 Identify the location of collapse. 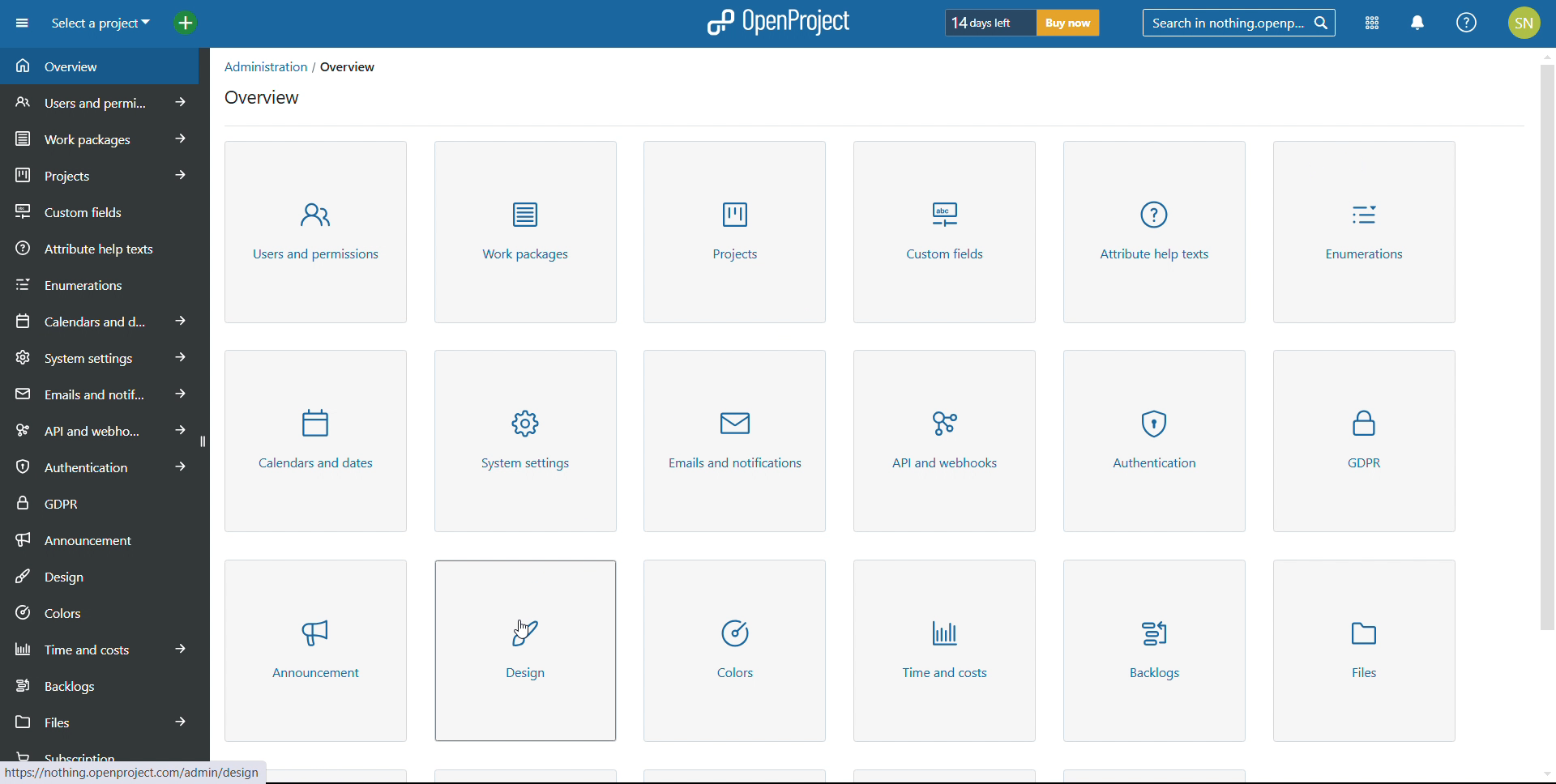
(202, 442).